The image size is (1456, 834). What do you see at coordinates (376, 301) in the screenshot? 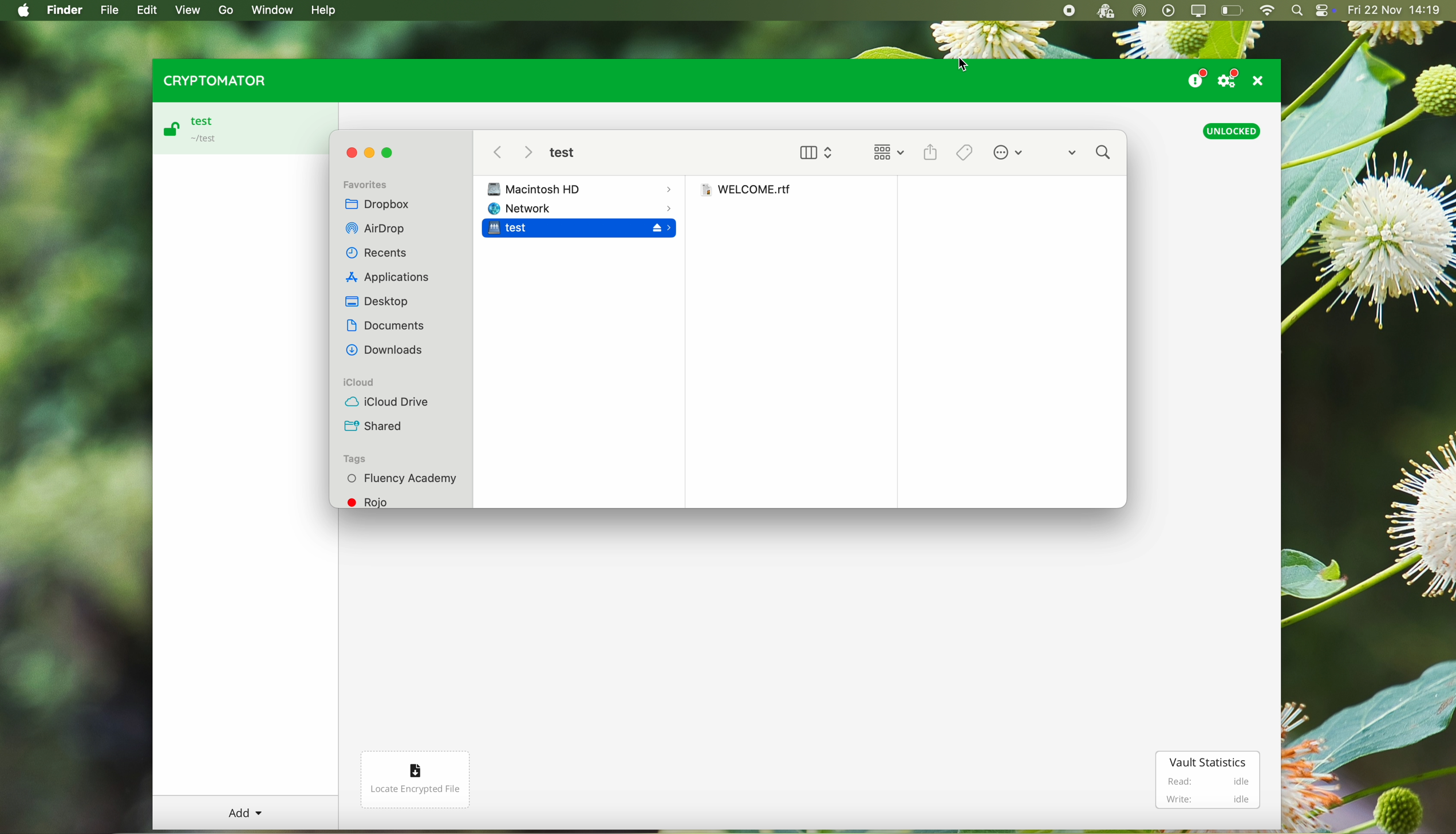
I see `desktop` at bounding box center [376, 301].